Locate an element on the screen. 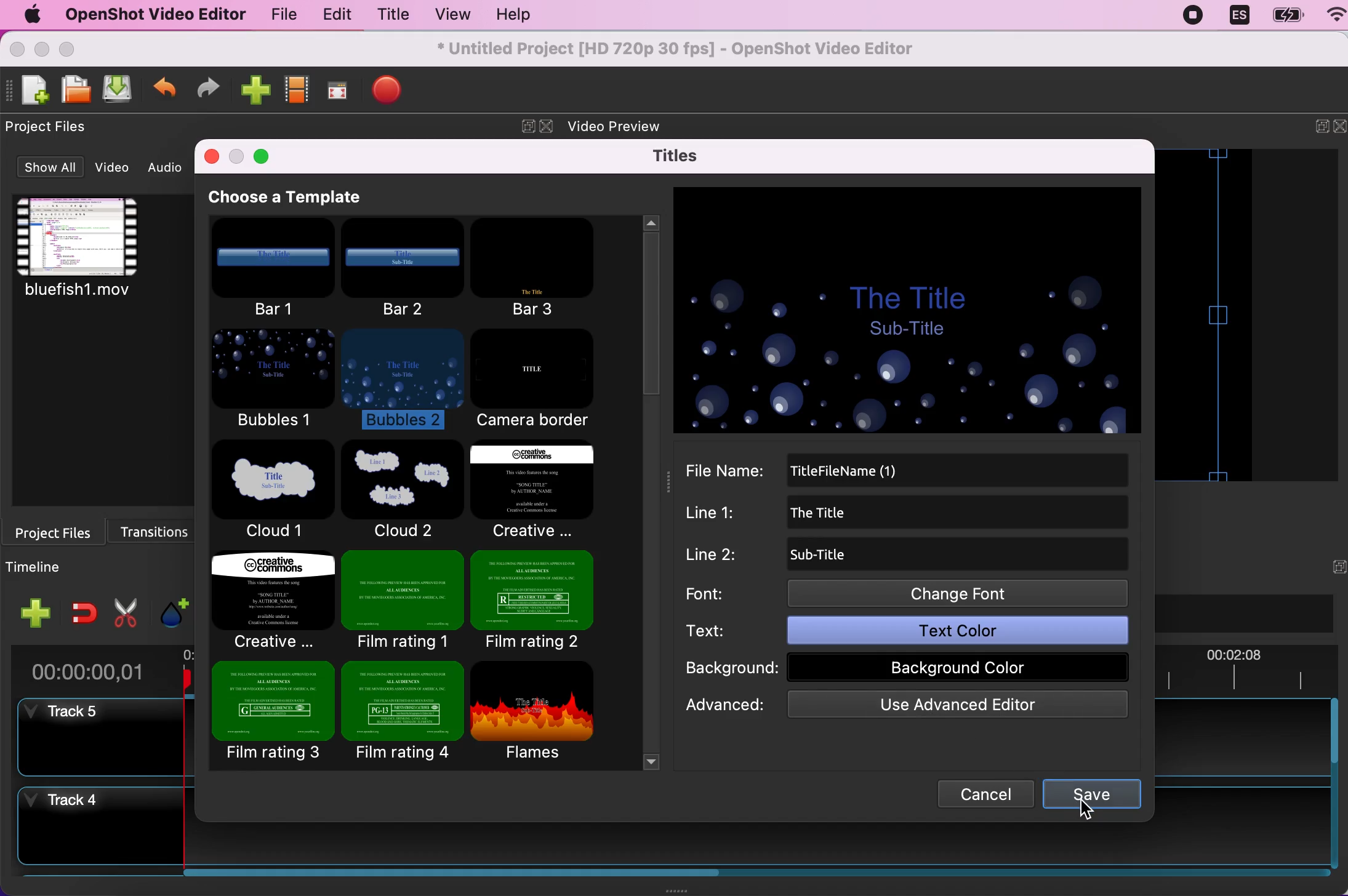  expand/hide is located at coordinates (1313, 129).